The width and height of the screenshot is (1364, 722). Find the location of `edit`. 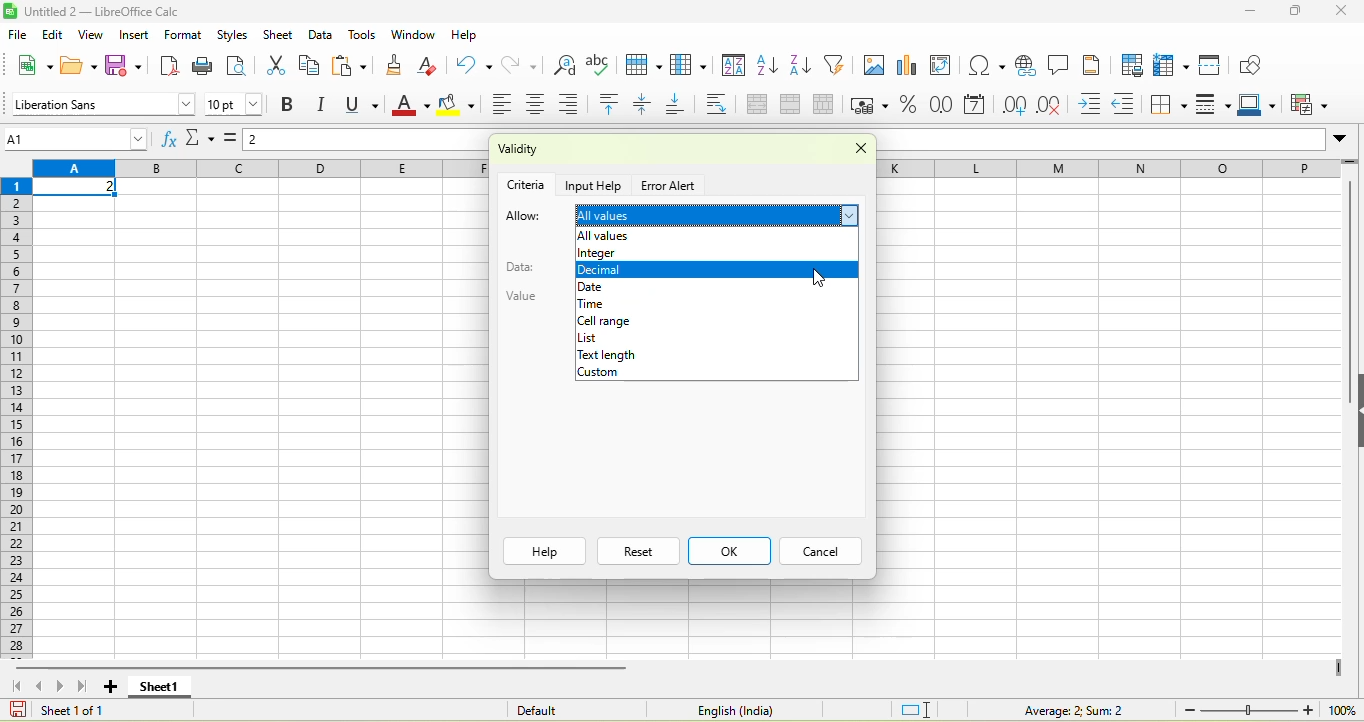

edit is located at coordinates (53, 34).